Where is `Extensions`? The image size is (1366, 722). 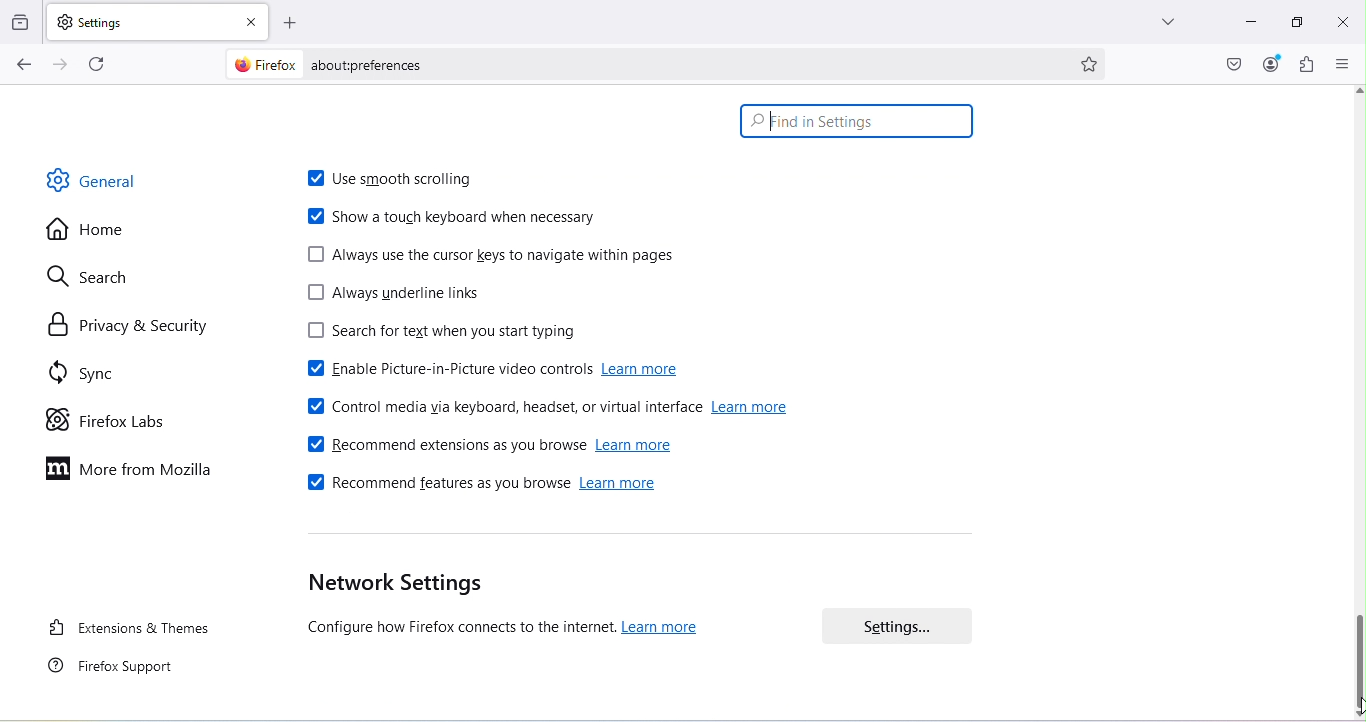 Extensions is located at coordinates (1303, 66).